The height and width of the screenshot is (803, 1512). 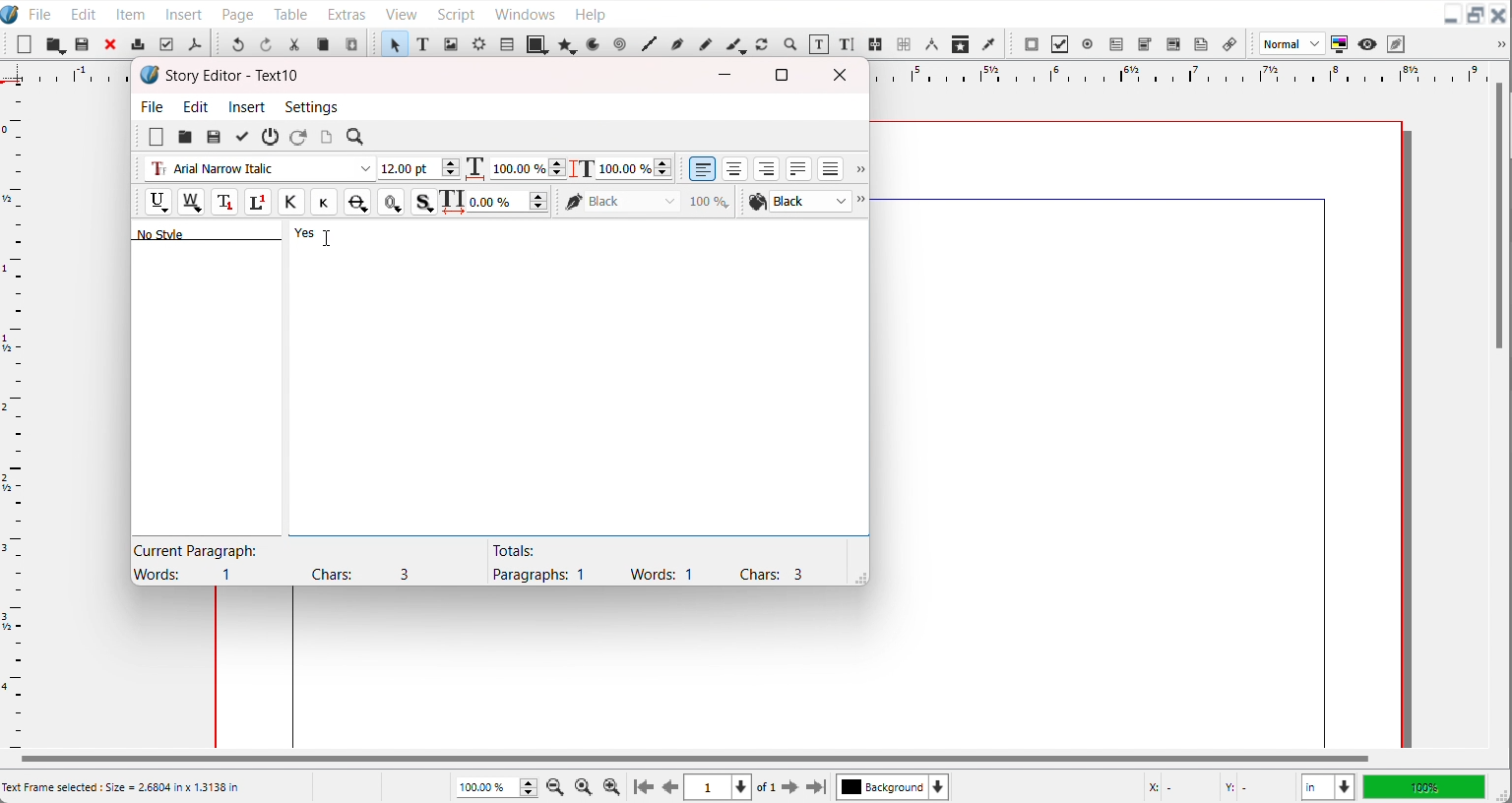 What do you see at coordinates (819, 44) in the screenshot?
I see `Edit content with frame` at bounding box center [819, 44].